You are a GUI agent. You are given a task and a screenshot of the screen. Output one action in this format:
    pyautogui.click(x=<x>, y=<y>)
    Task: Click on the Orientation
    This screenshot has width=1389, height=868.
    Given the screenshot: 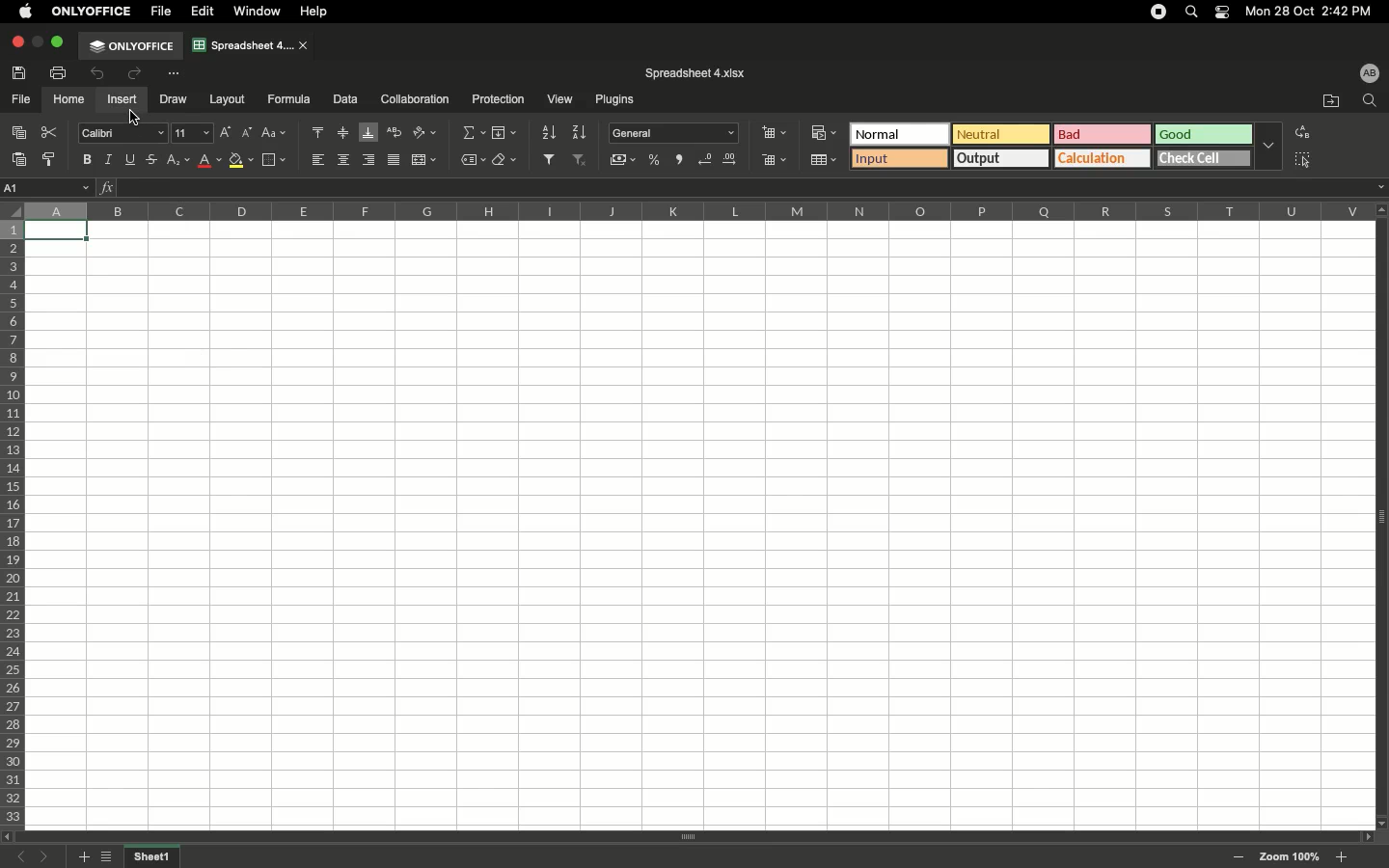 What is the action you would take?
    pyautogui.click(x=427, y=132)
    